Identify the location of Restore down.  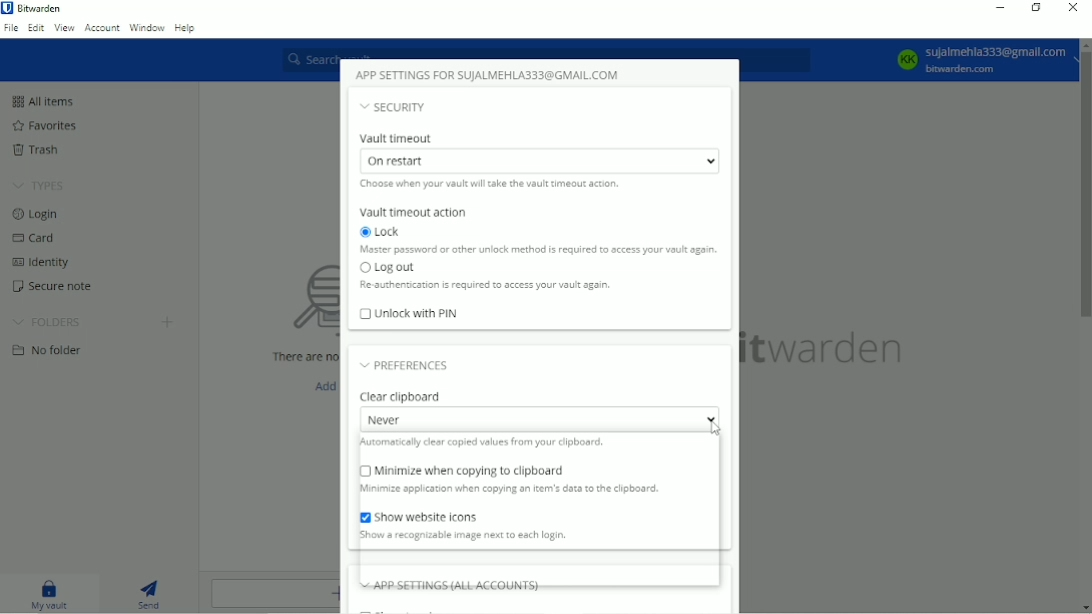
(1037, 8).